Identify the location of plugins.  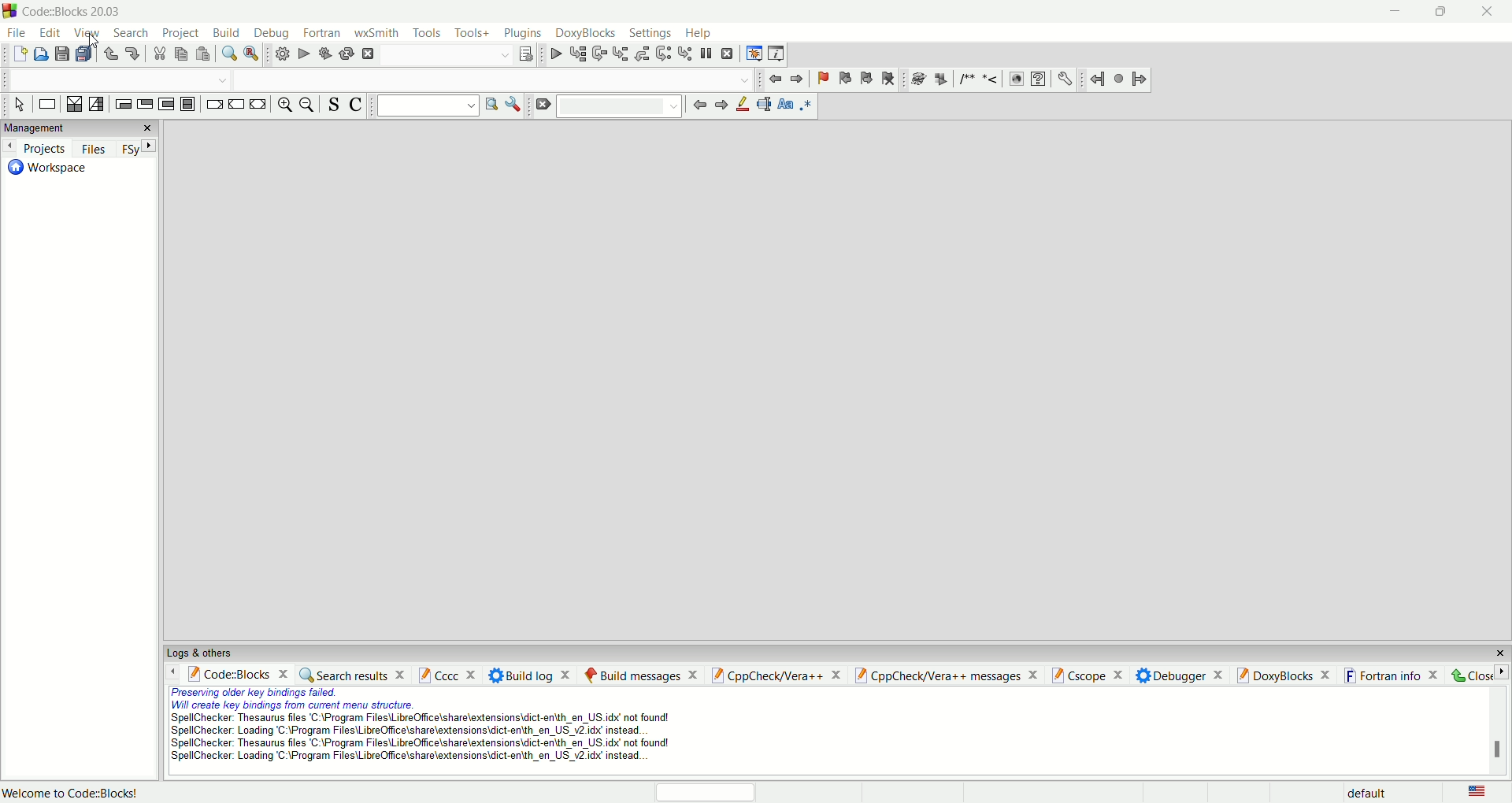
(525, 34).